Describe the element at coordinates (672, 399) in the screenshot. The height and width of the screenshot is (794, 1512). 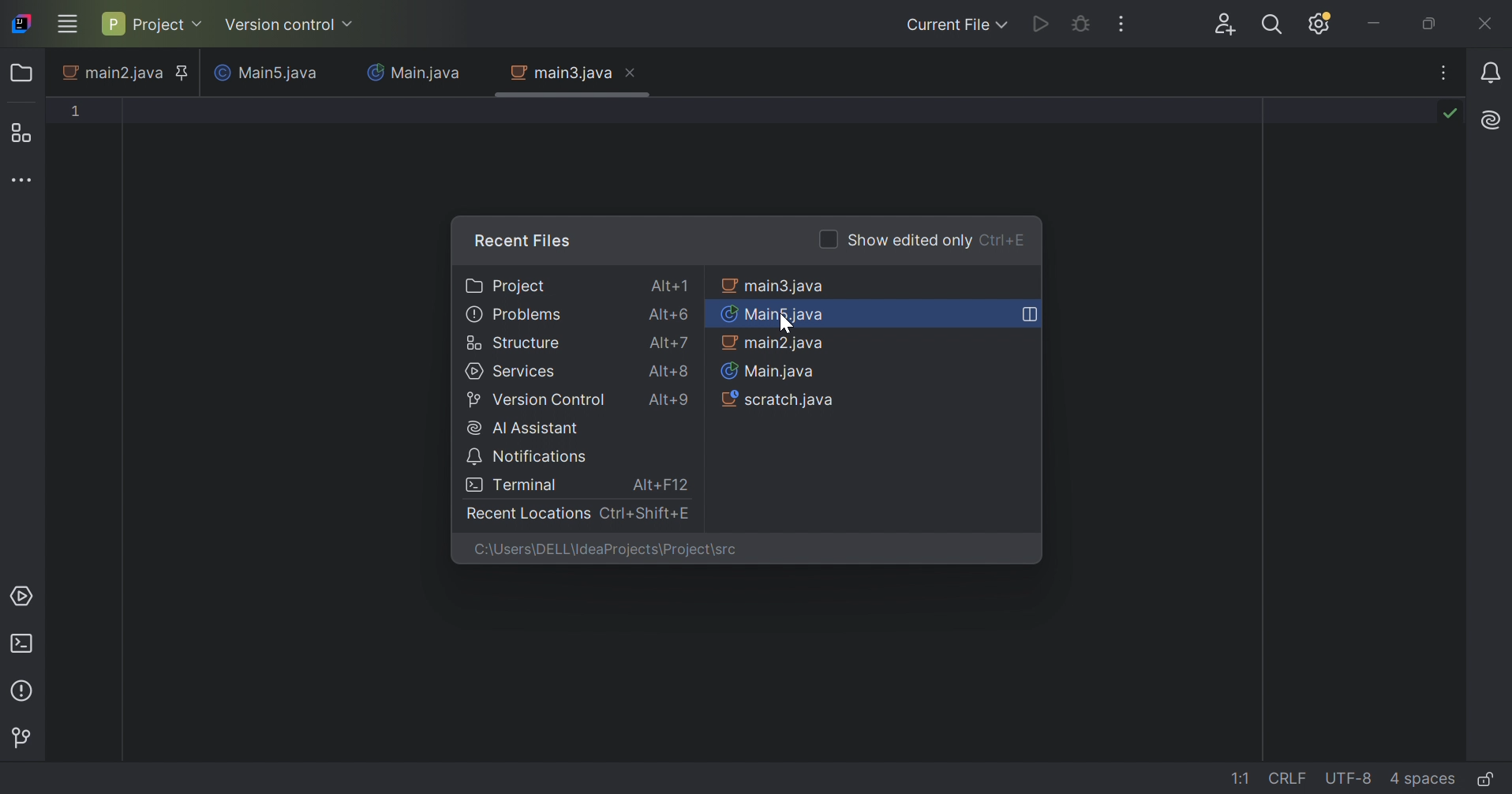
I see `Alt+9` at that location.